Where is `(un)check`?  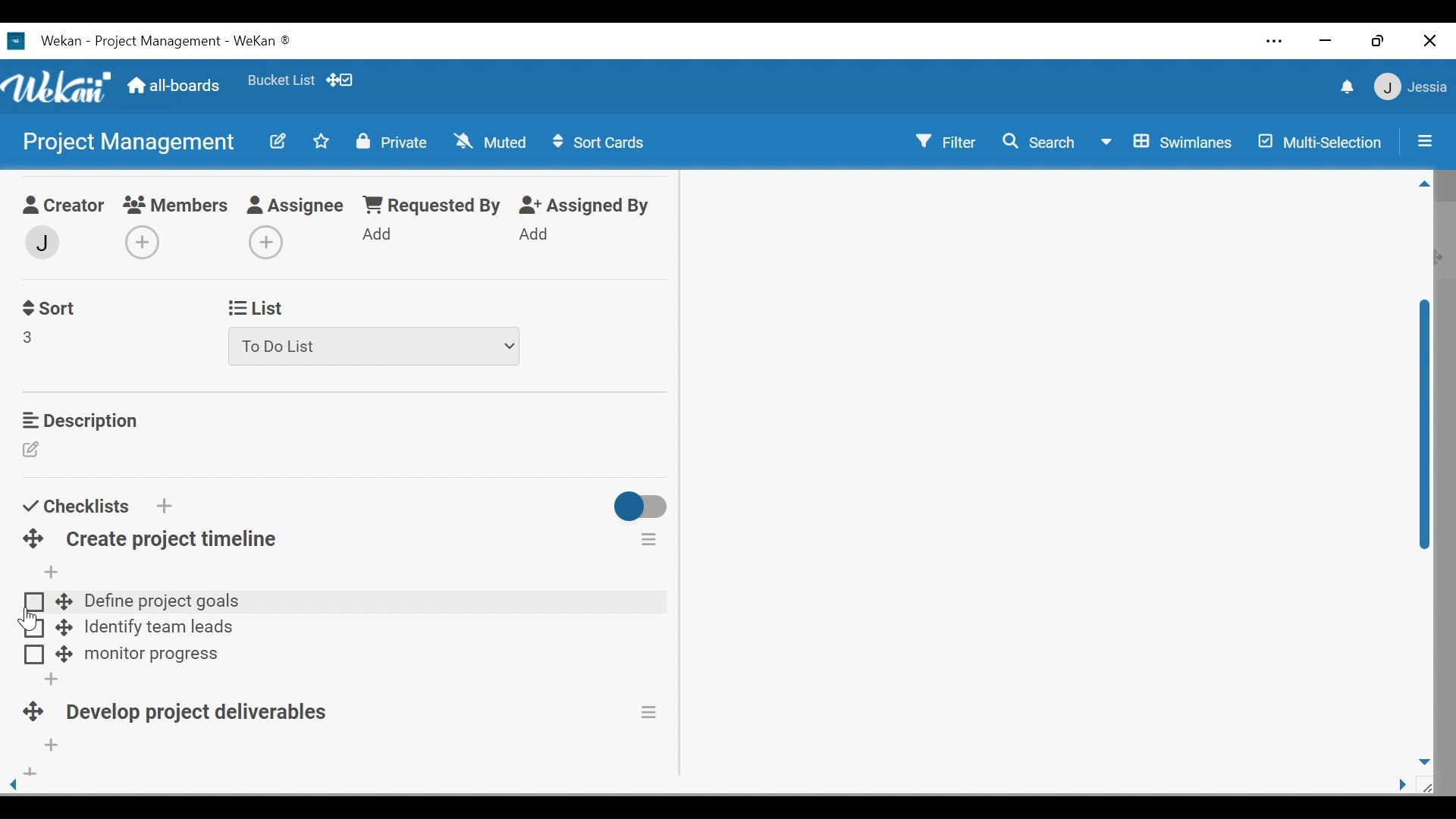 (un)check is located at coordinates (35, 630).